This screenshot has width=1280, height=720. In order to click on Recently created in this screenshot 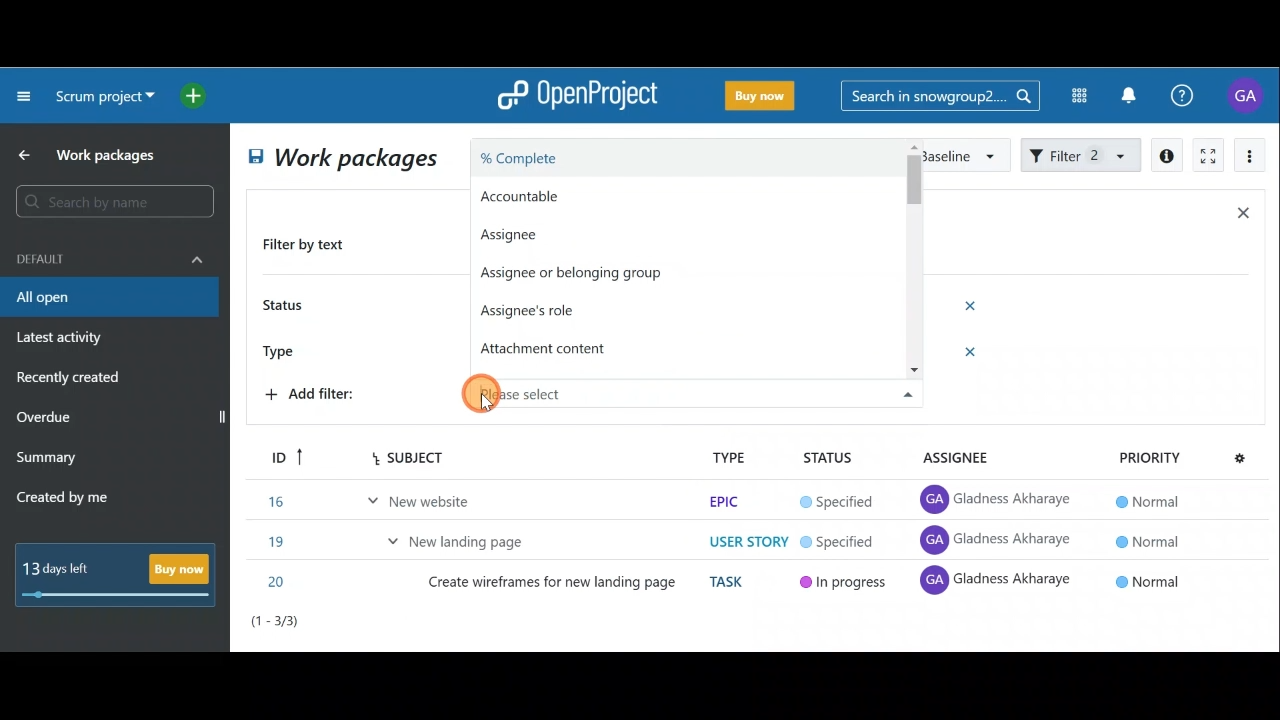, I will do `click(71, 380)`.